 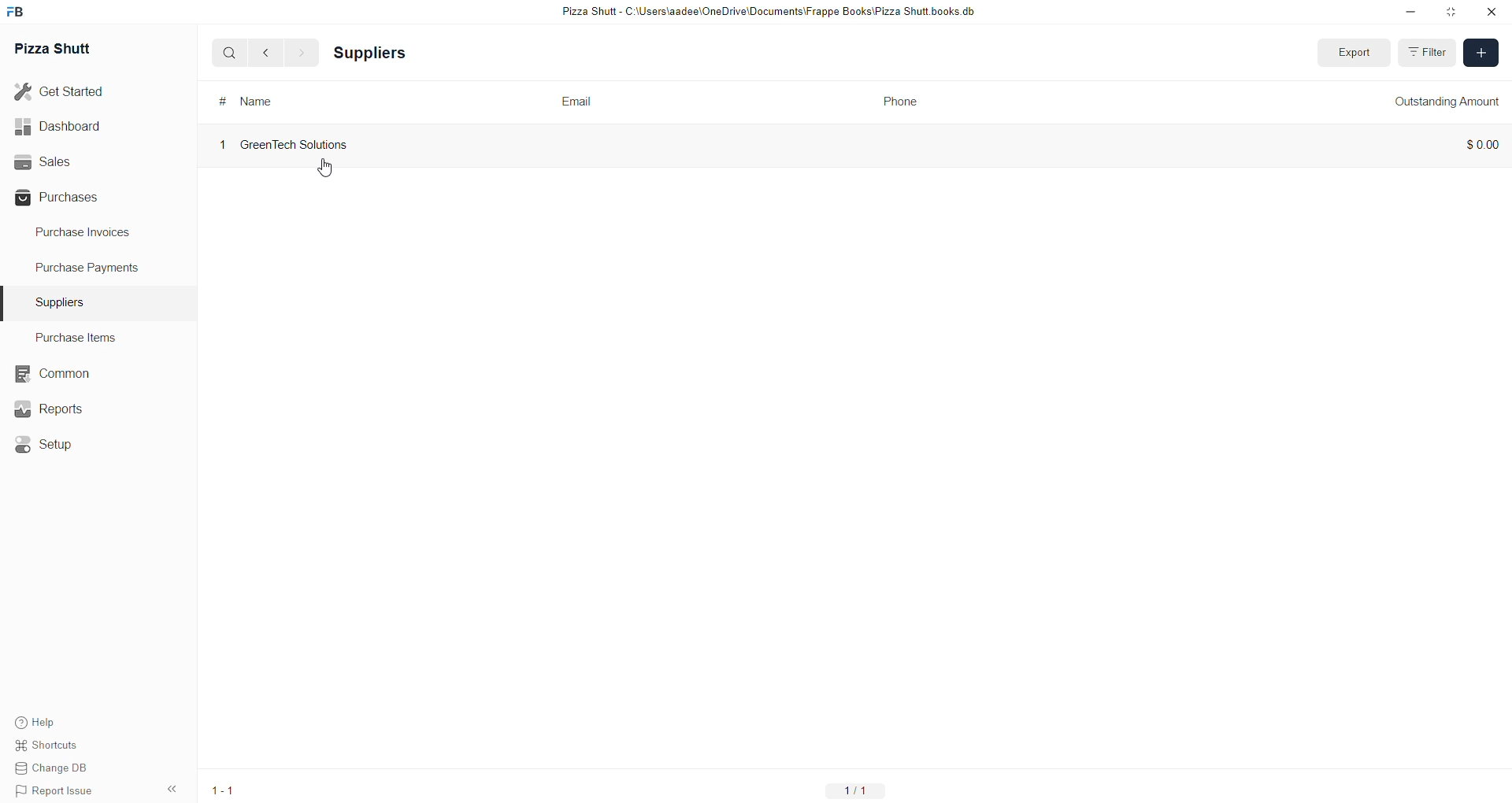 I want to click on Purchase Payments, so click(x=89, y=270).